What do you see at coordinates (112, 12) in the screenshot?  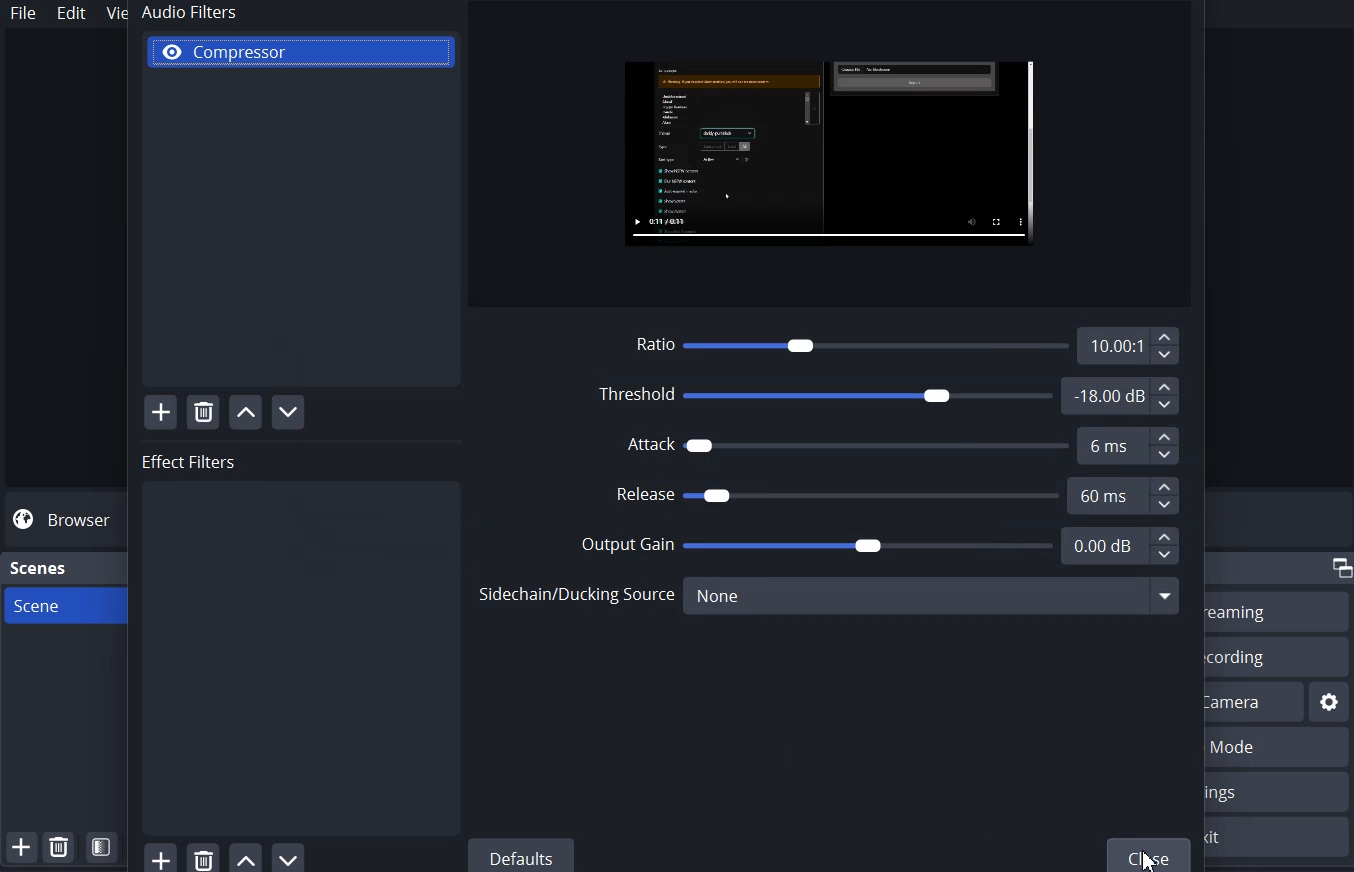 I see `View` at bounding box center [112, 12].